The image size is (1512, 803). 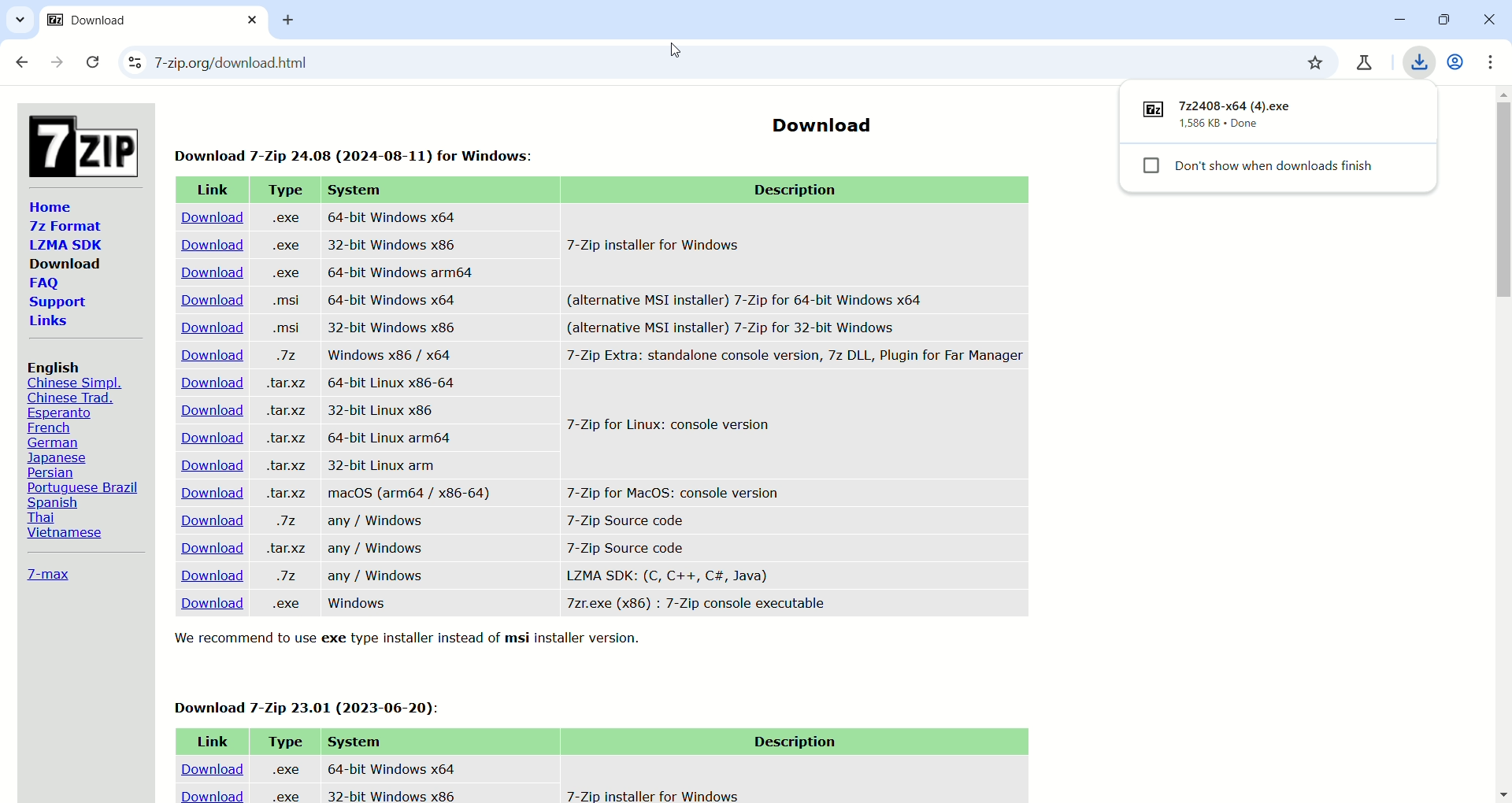 I want to click on 7-zip.org/download.html, so click(x=354, y=65).